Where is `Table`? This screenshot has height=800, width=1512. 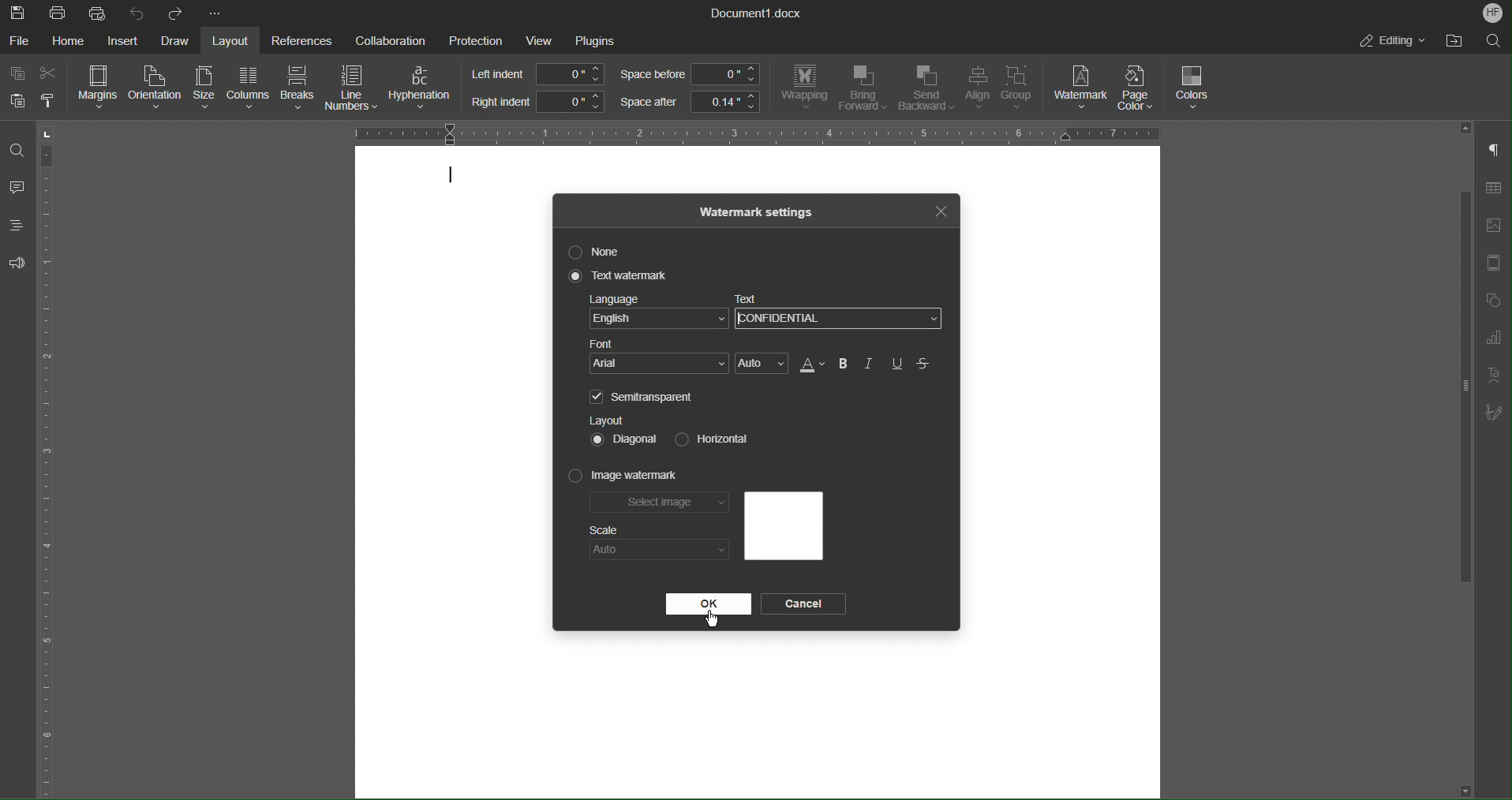
Table is located at coordinates (1493, 191).